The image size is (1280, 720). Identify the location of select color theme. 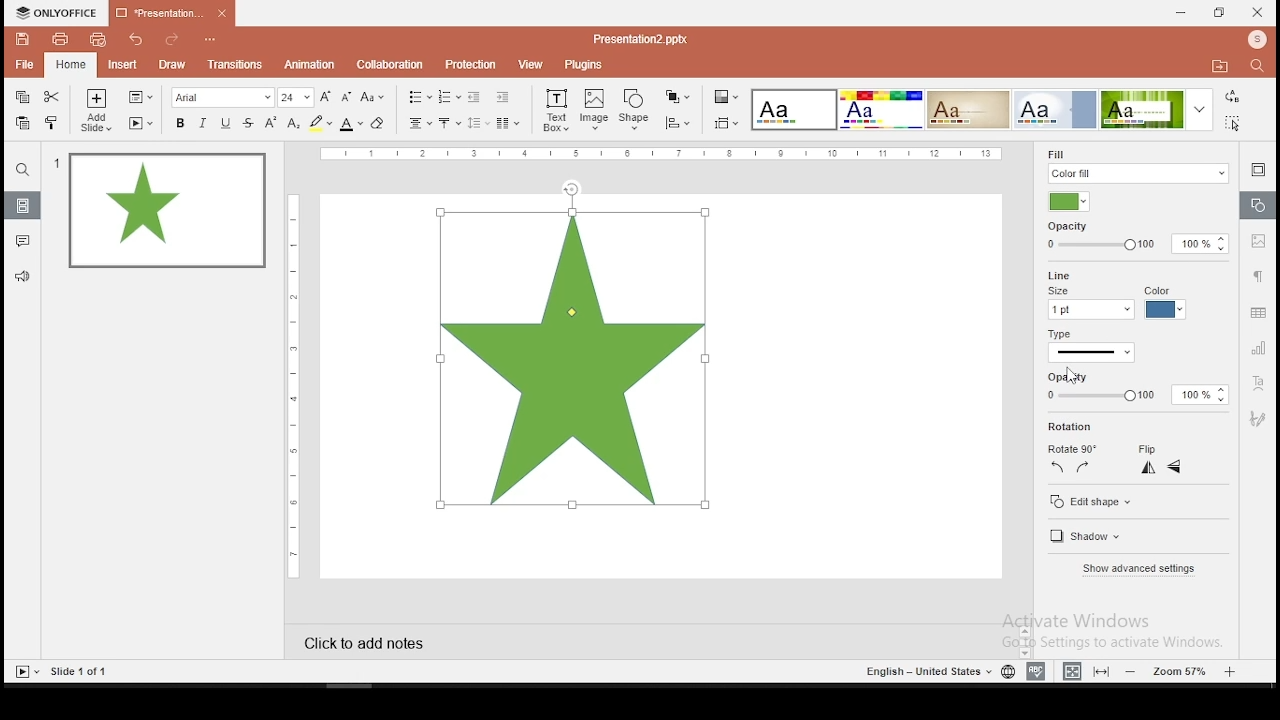
(727, 98).